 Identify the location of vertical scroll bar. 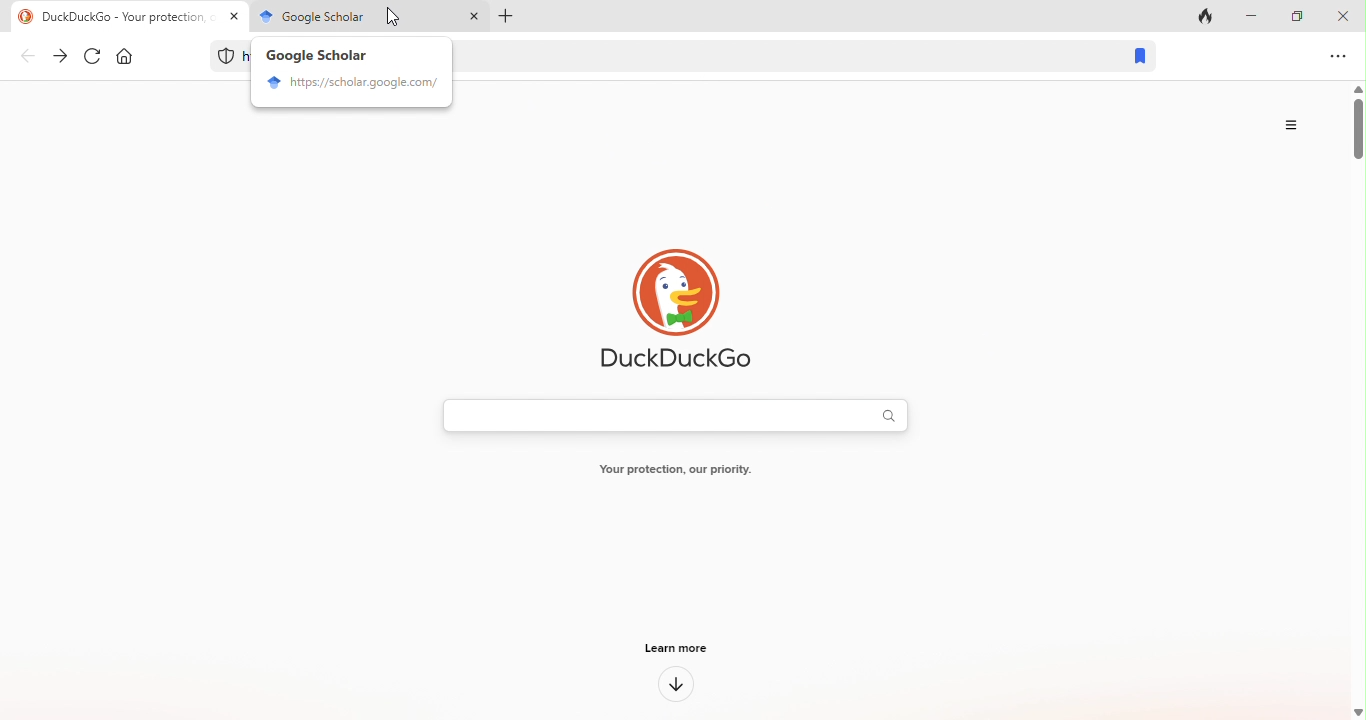
(1357, 131).